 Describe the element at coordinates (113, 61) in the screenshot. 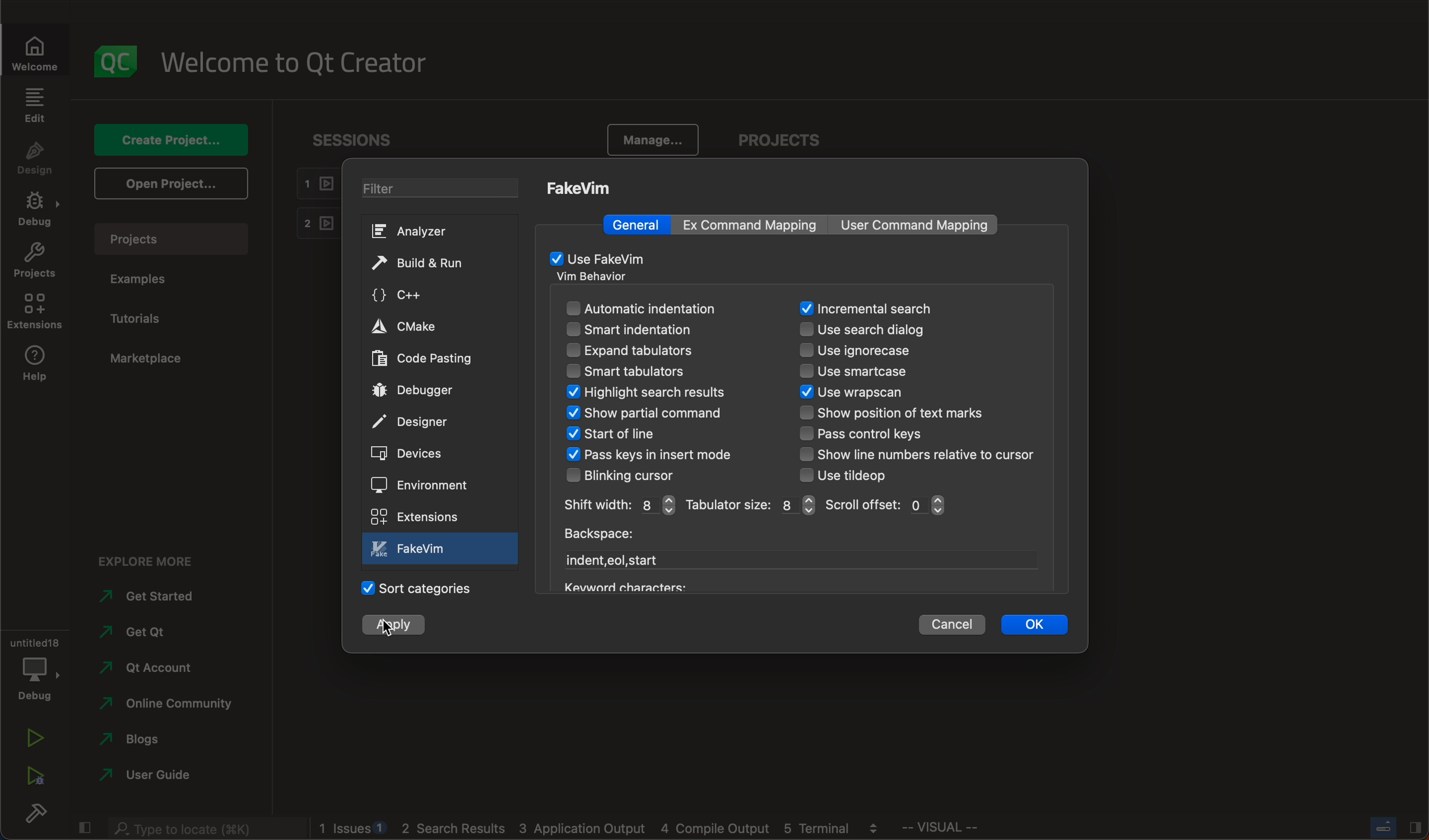

I see `logo` at that location.